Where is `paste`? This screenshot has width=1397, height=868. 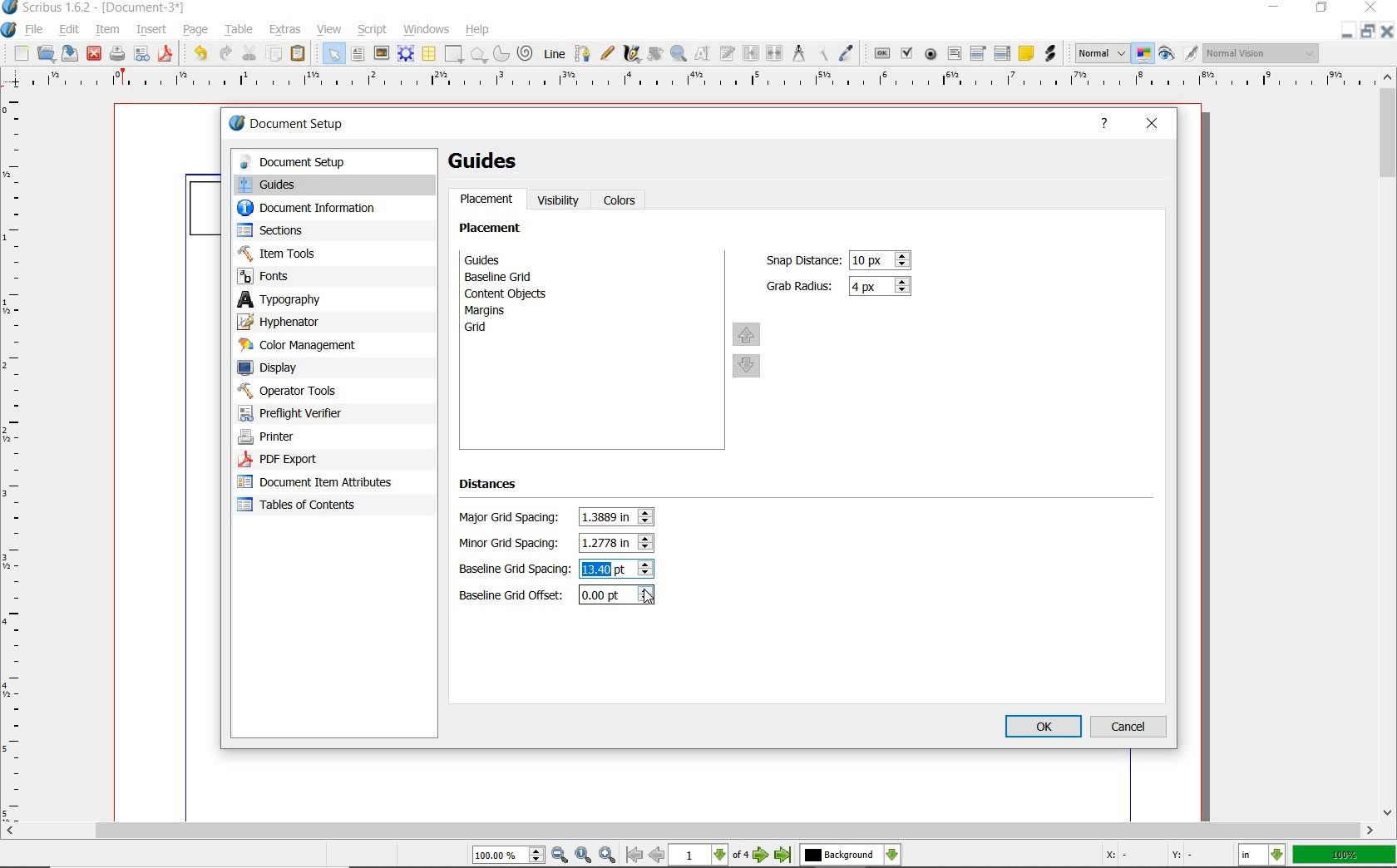 paste is located at coordinates (301, 55).